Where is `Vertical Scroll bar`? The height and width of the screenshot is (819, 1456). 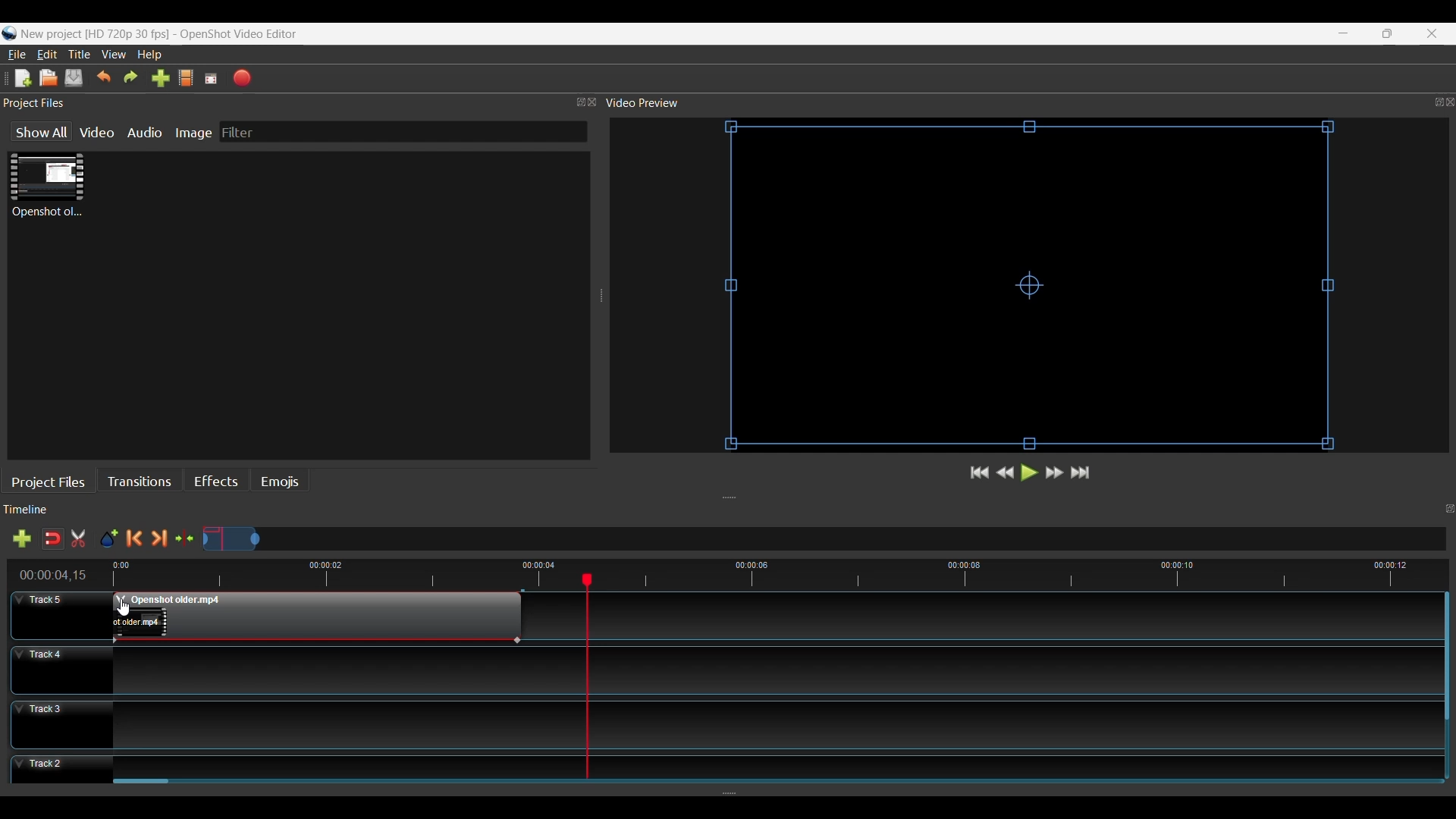 Vertical Scroll bar is located at coordinates (143, 783).